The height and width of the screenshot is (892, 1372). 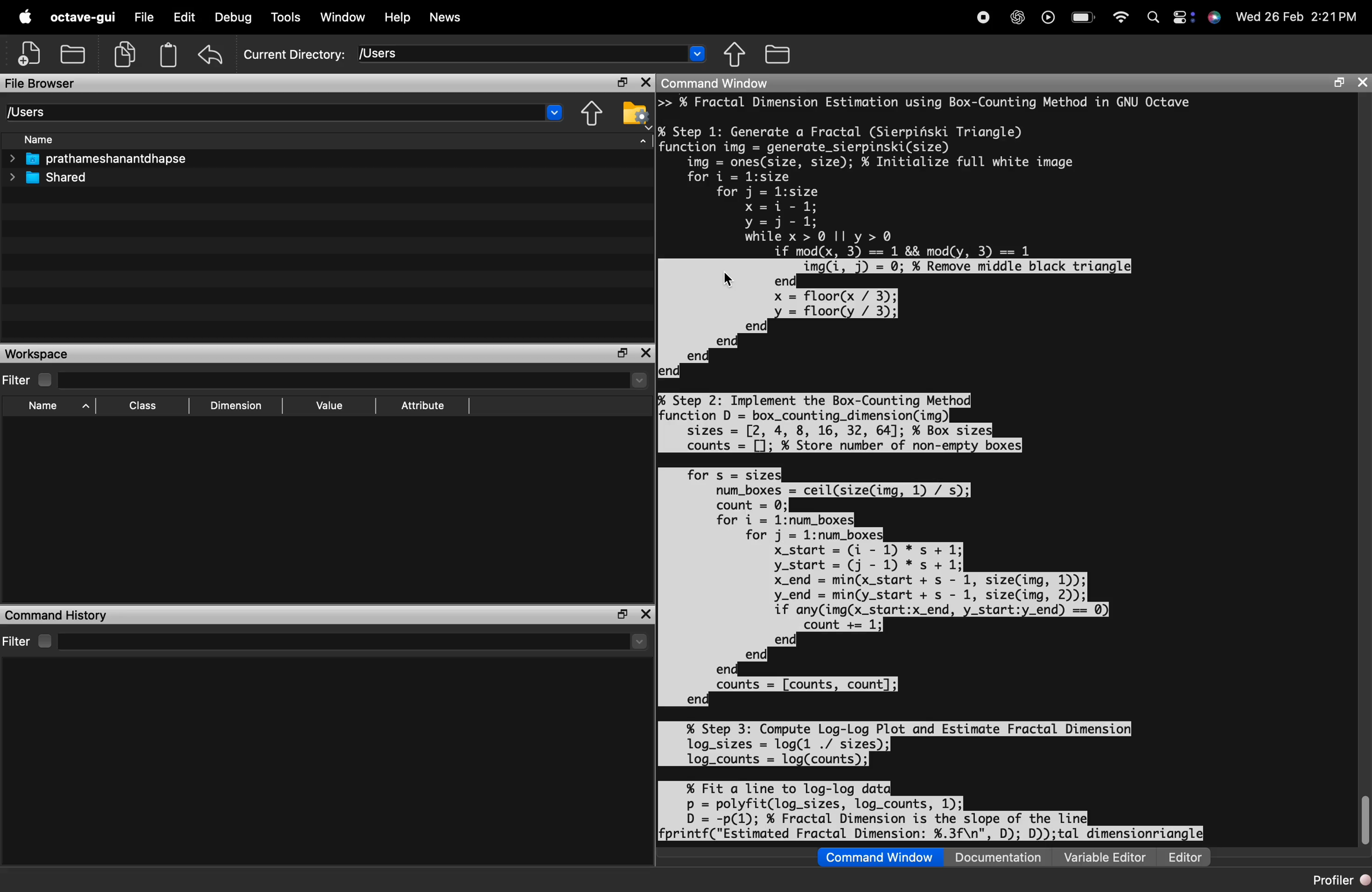 What do you see at coordinates (555, 112) in the screenshot?
I see `dropdown` at bounding box center [555, 112].